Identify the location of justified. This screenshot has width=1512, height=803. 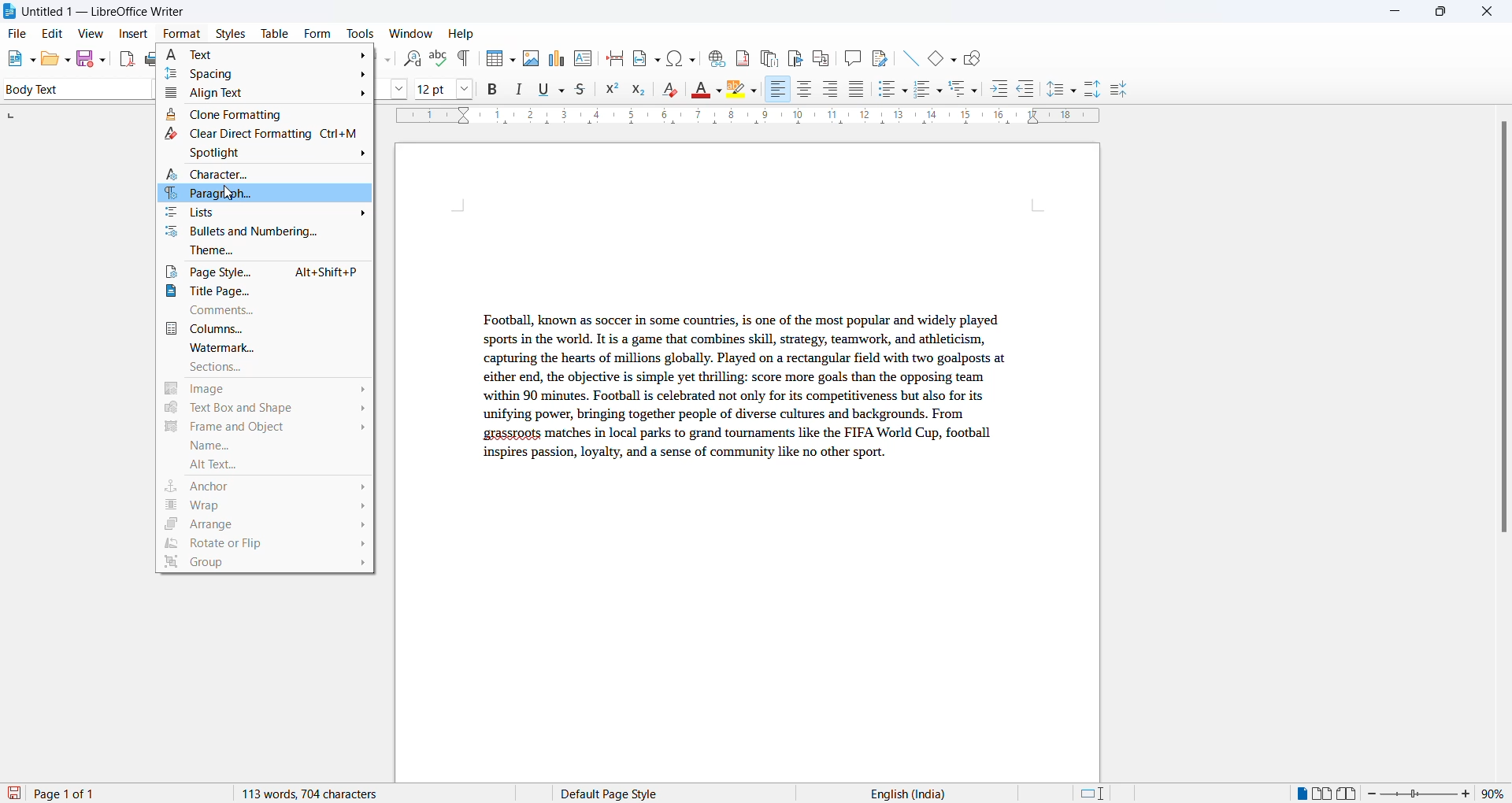
(858, 91).